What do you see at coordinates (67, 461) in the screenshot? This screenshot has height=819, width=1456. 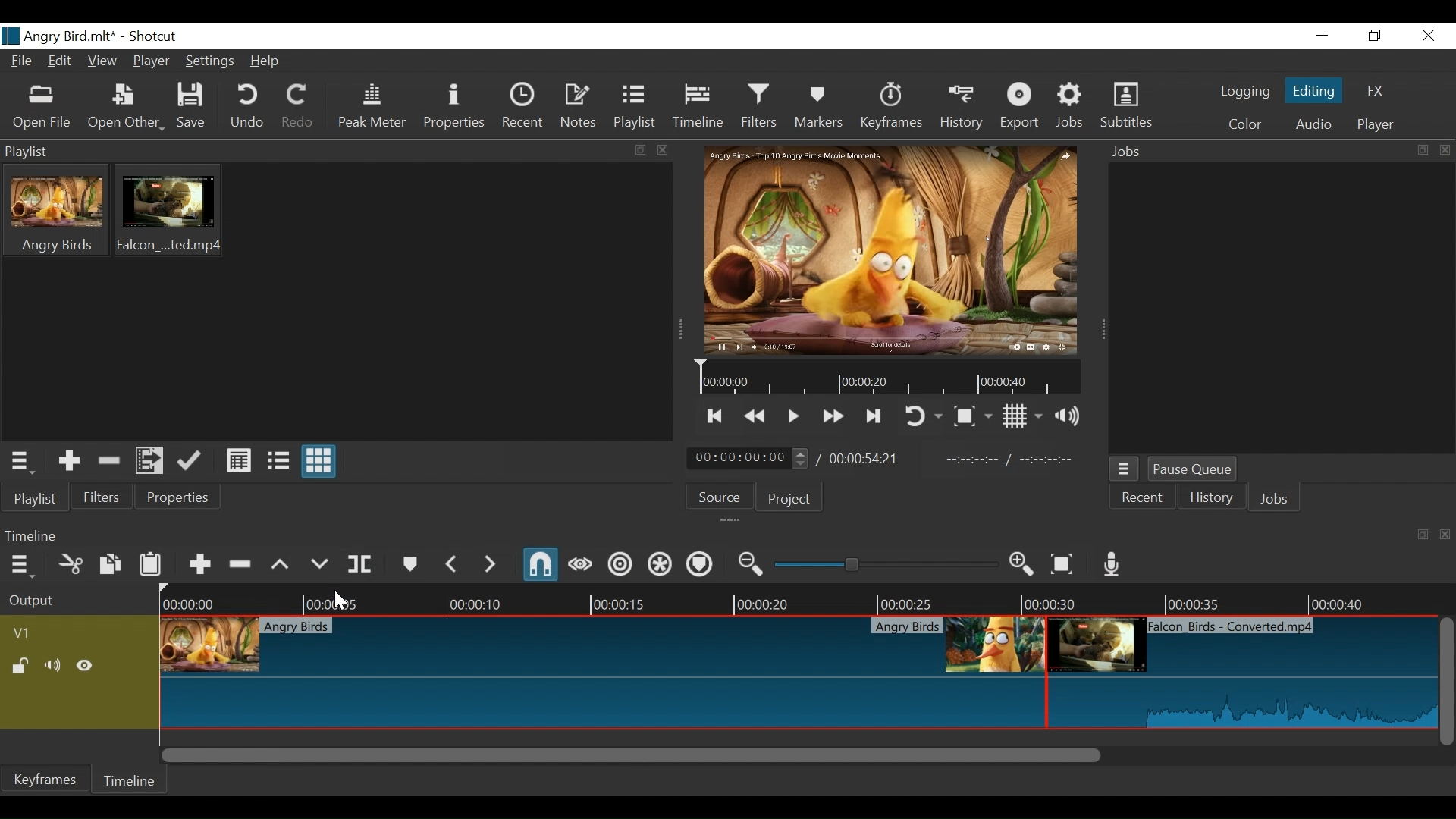 I see `Add the Source to the playlist` at bounding box center [67, 461].